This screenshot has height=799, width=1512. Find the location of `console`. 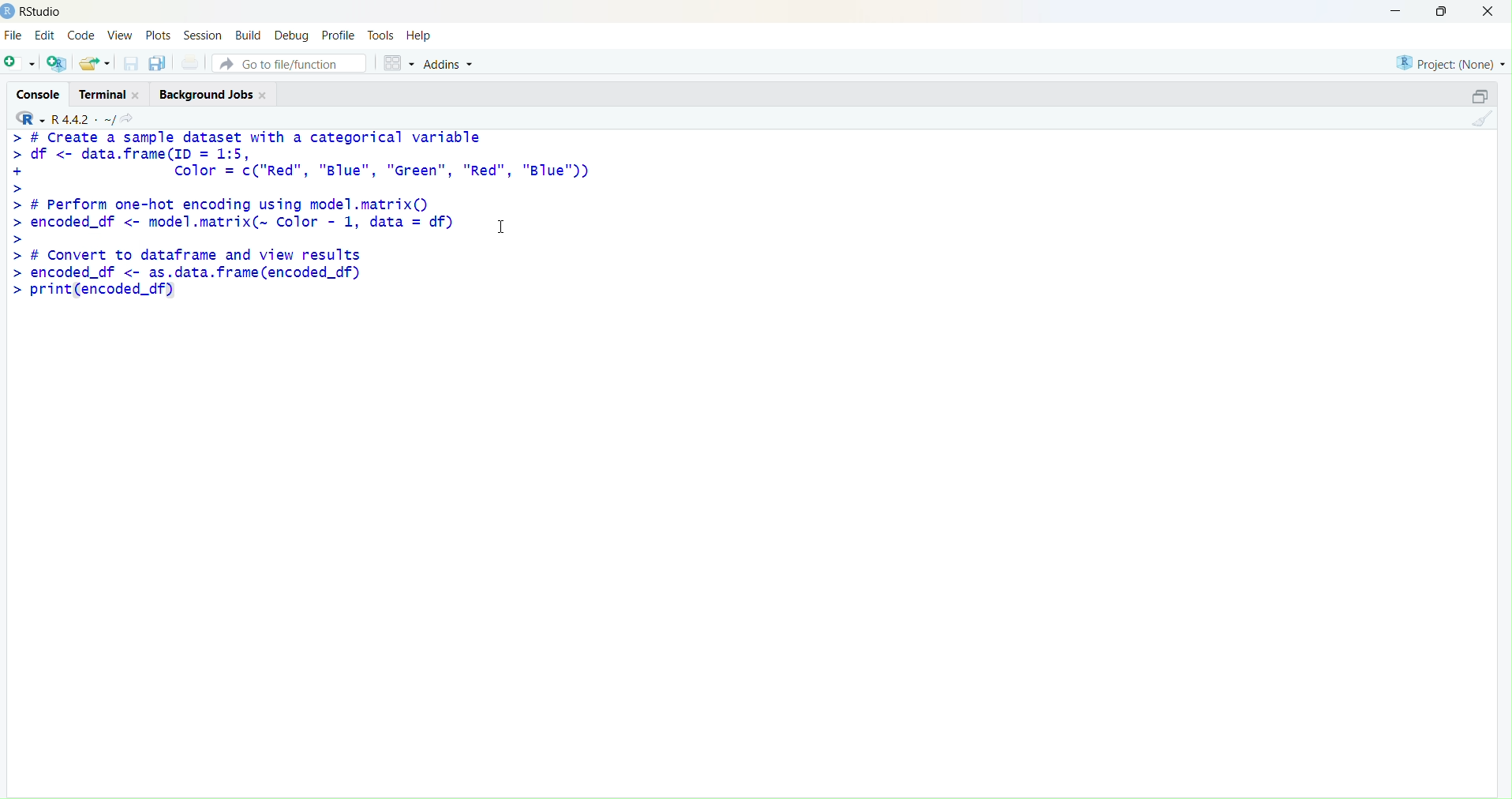

console is located at coordinates (40, 96).